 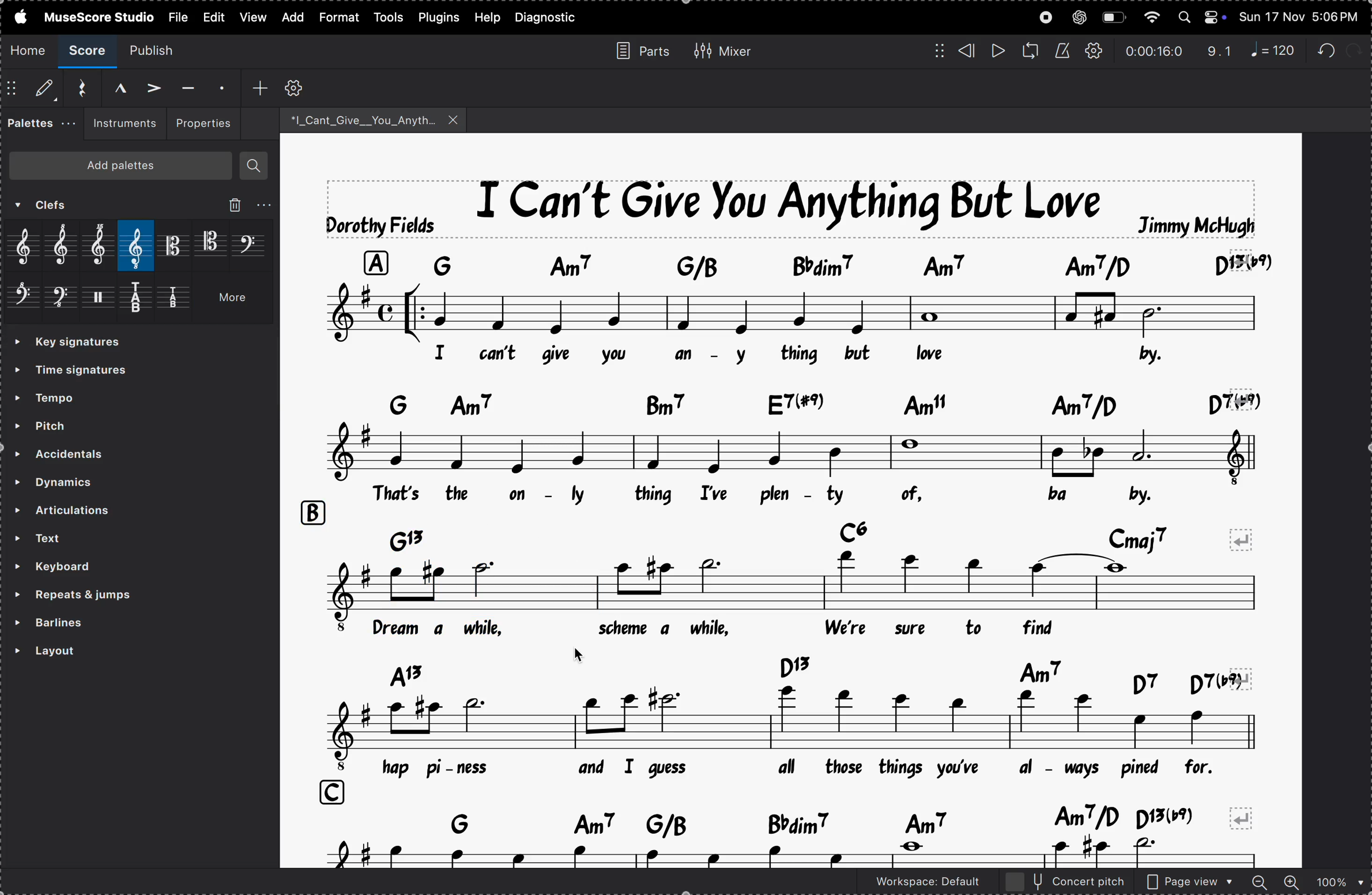 I want to click on worspace, so click(x=917, y=884).